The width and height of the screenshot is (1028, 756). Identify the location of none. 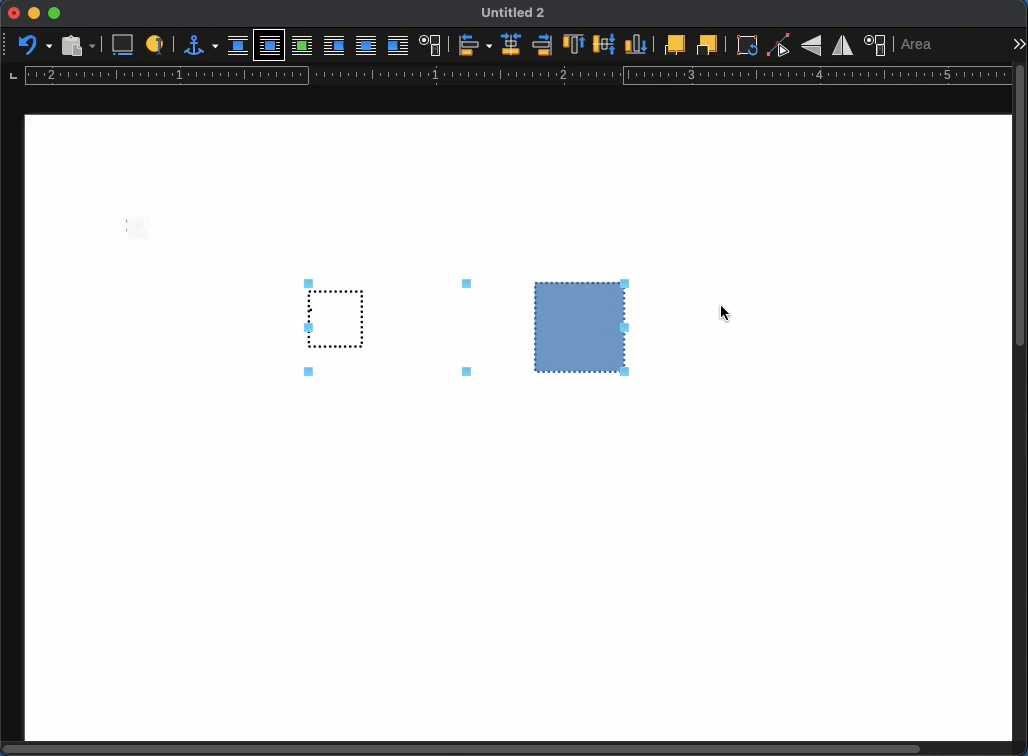
(238, 45).